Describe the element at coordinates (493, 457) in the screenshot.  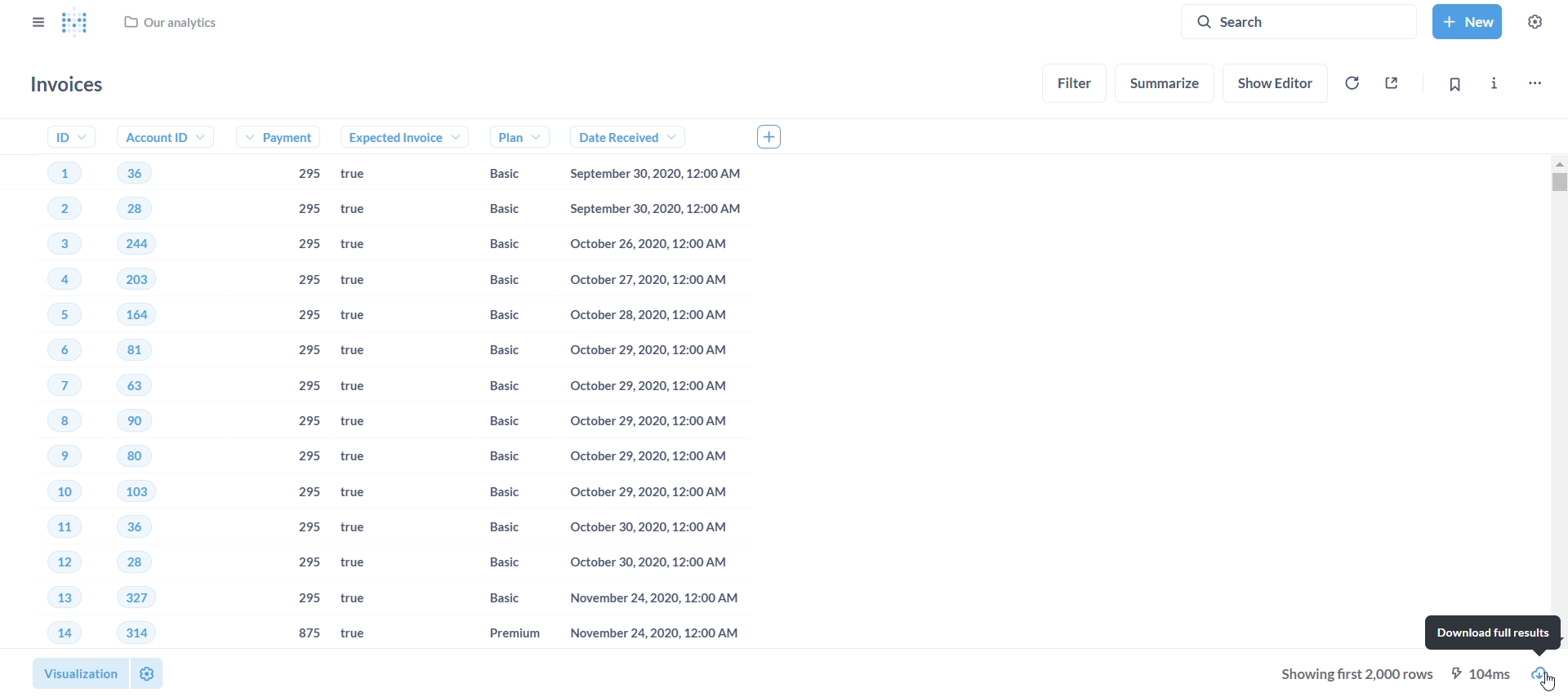
I see `Basic` at that location.